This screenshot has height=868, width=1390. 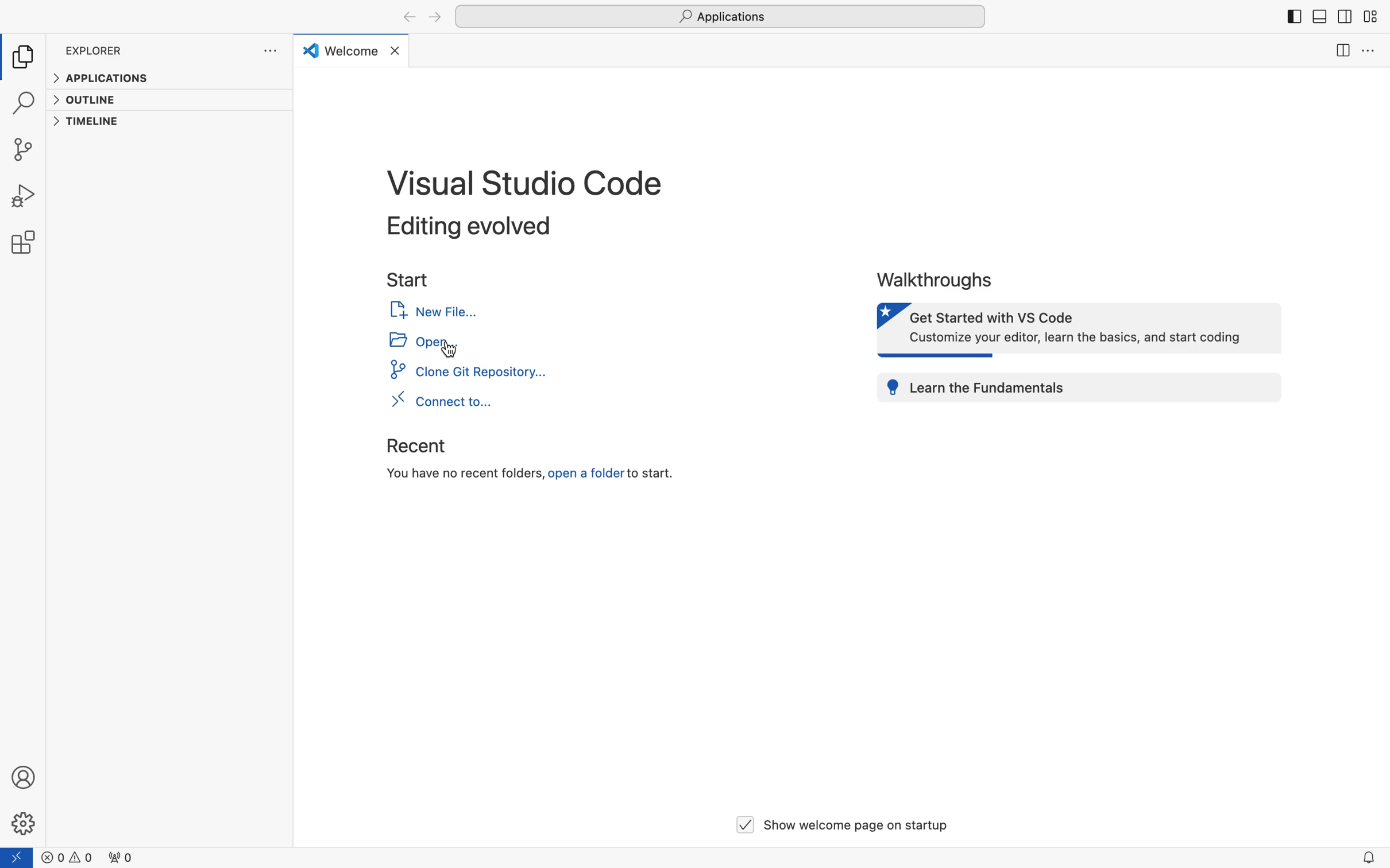 I want to click on warning, cautions, so click(x=108, y=858).